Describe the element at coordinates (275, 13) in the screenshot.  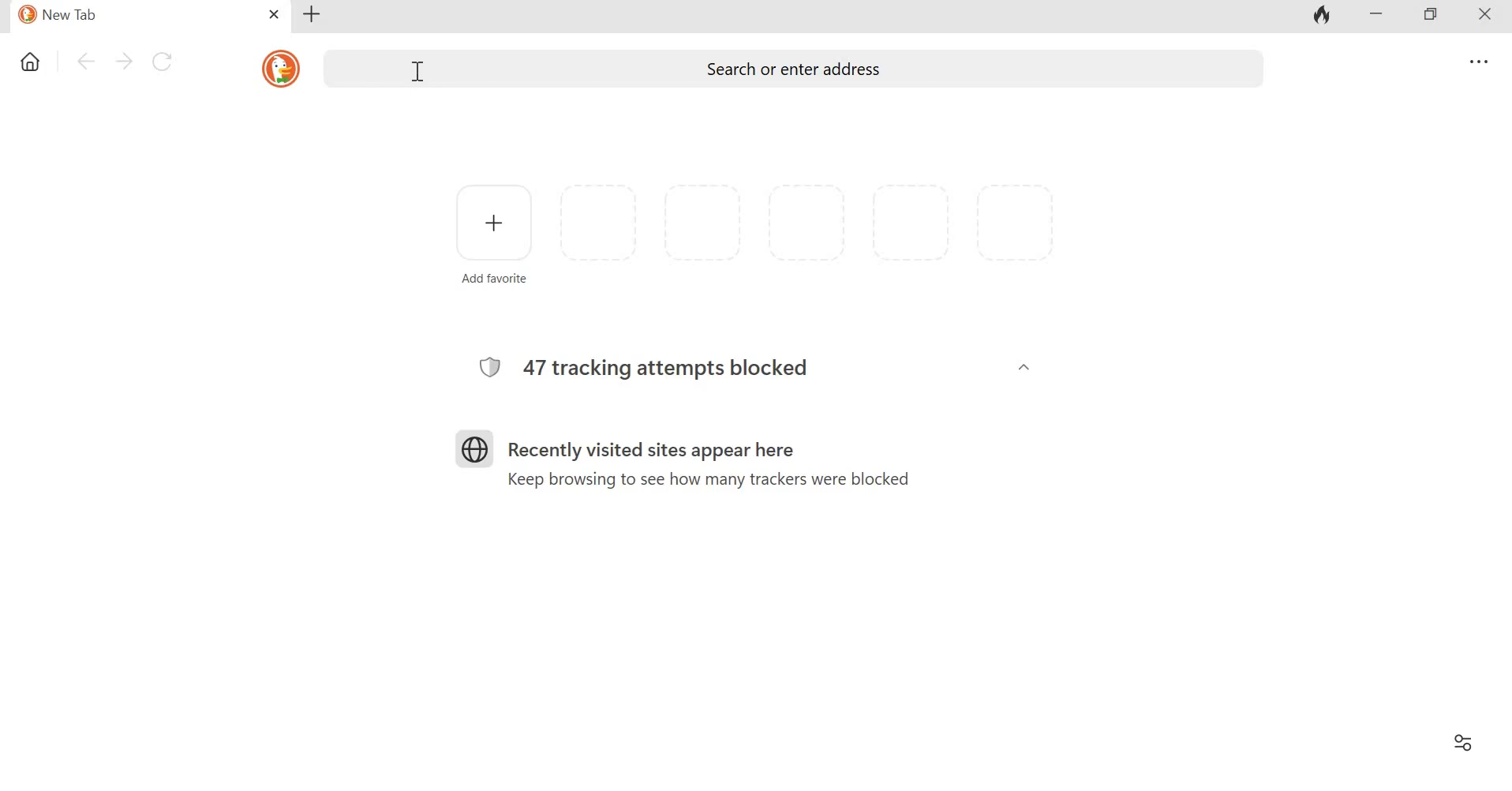
I see `close tab` at that location.